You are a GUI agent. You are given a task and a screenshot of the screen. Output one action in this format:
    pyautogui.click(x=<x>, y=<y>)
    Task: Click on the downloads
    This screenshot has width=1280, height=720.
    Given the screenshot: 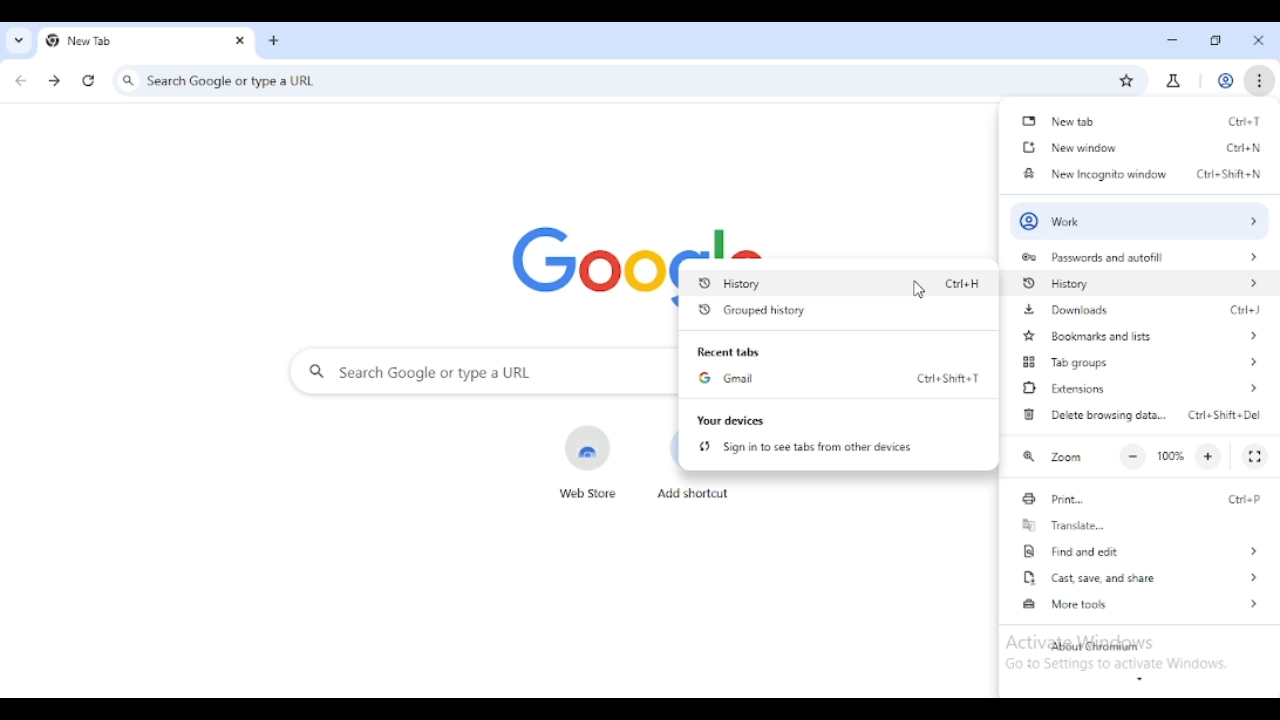 What is the action you would take?
    pyautogui.click(x=1065, y=309)
    